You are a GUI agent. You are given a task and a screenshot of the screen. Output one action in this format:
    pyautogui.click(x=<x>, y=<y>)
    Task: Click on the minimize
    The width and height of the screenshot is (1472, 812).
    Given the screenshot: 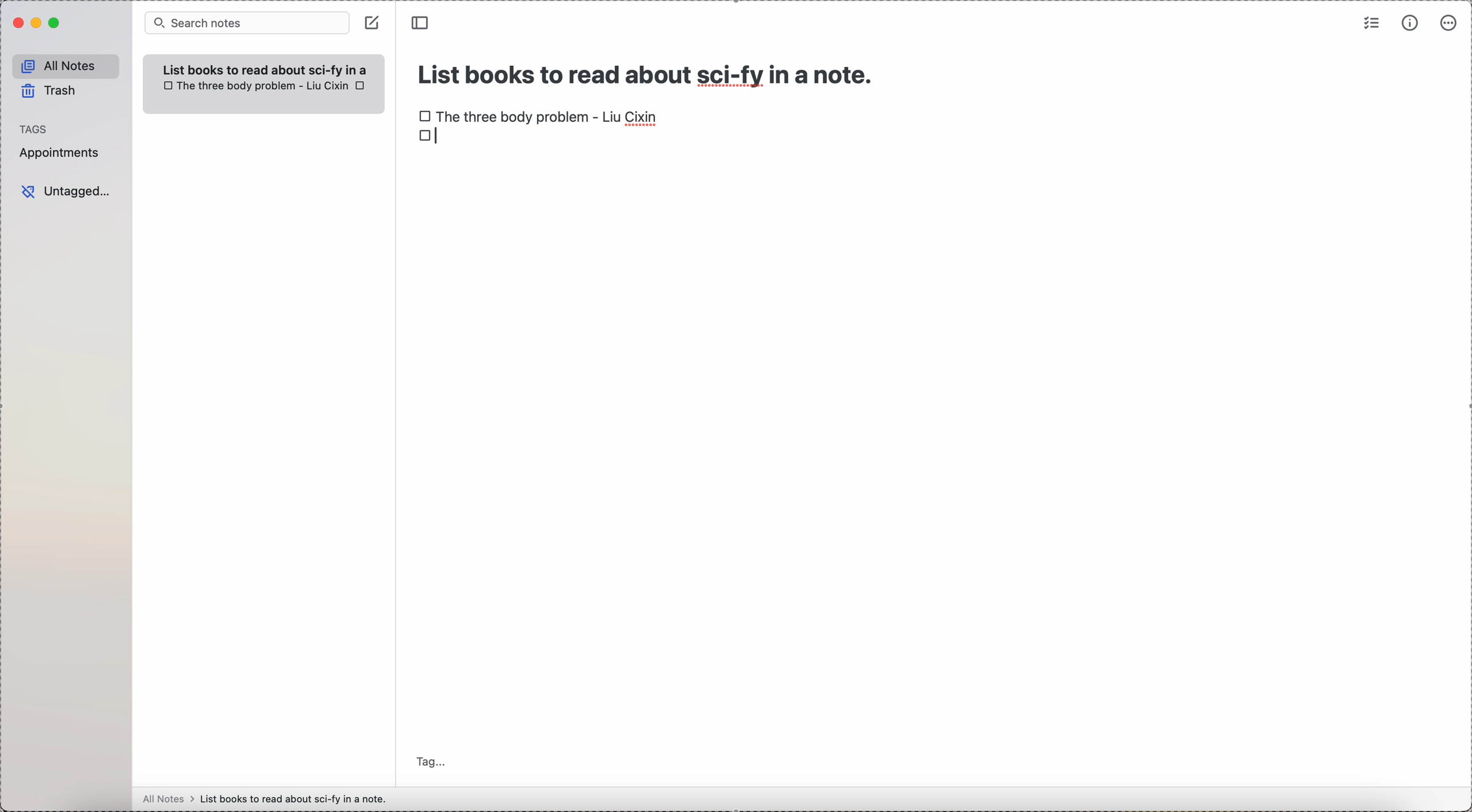 What is the action you would take?
    pyautogui.click(x=34, y=23)
    